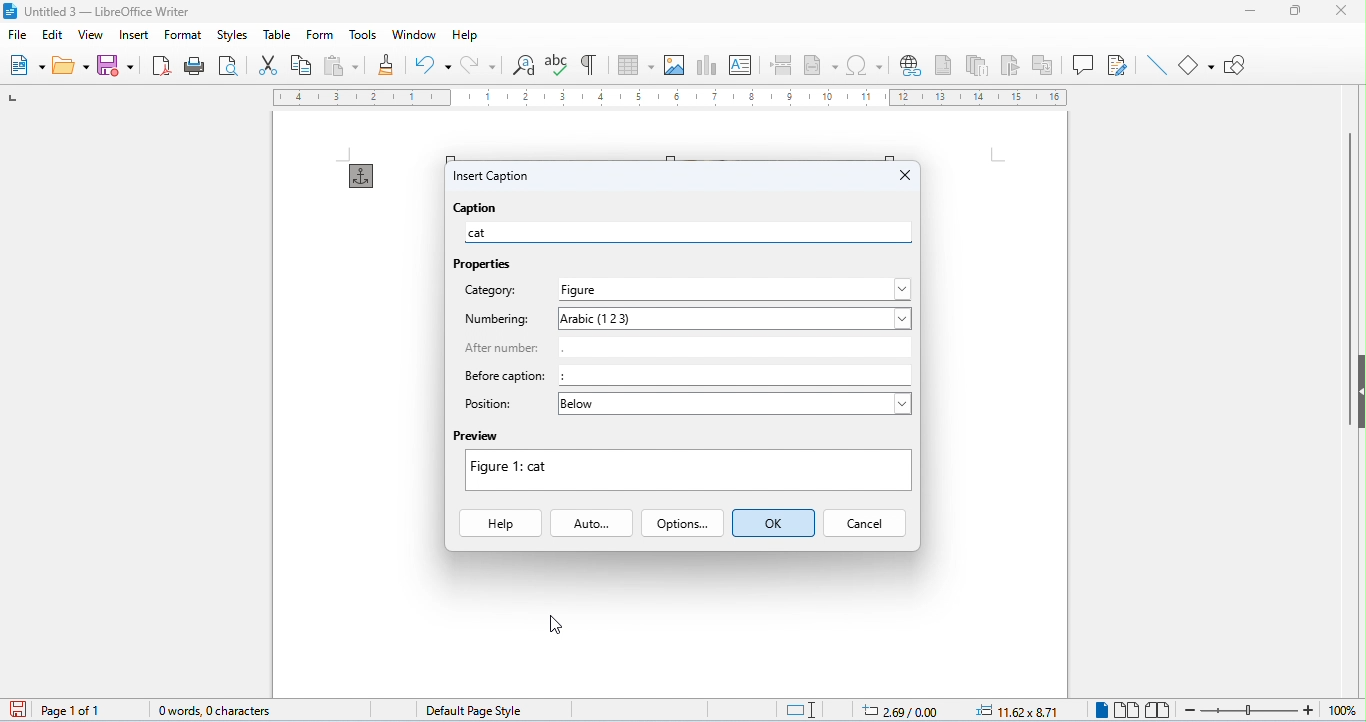 Image resolution: width=1366 pixels, height=722 pixels. What do you see at coordinates (1357, 393) in the screenshot?
I see `hide` at bounding box center [1357, 393].